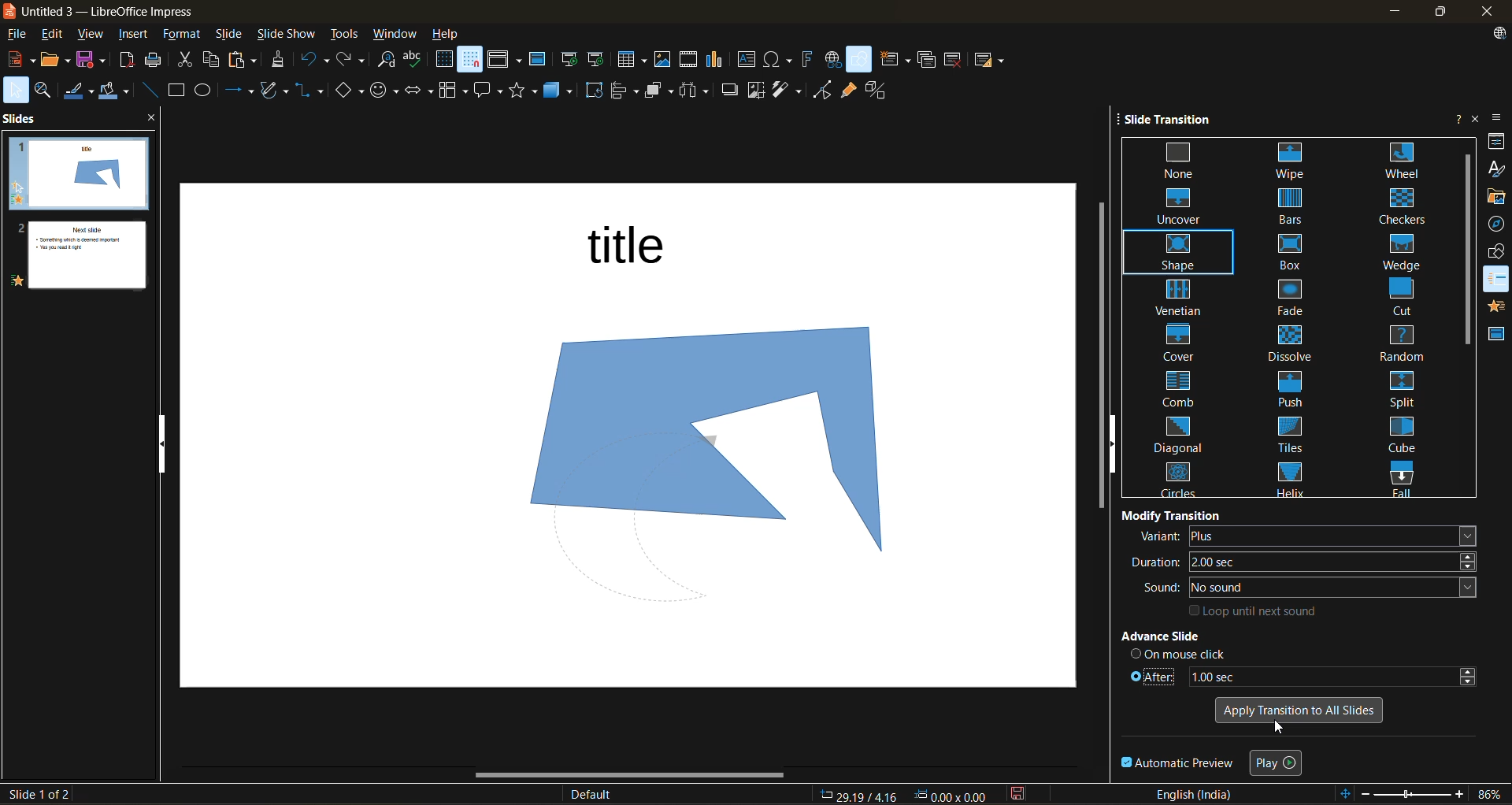  Describe the element at coordinates (345, 32) in the screenshot. I see `tools` at that location.